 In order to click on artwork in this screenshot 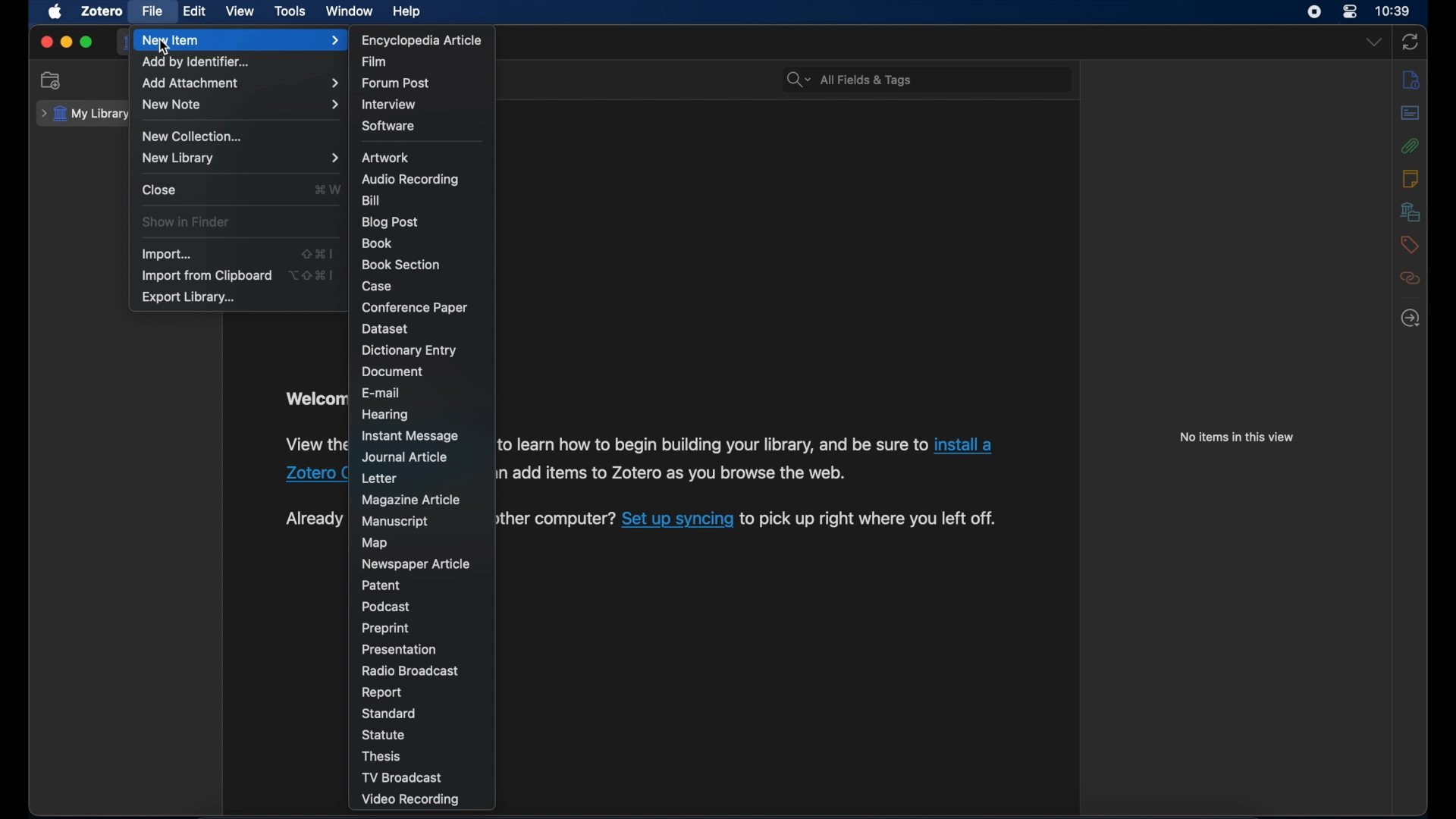, I will do `click(385, 158)`.